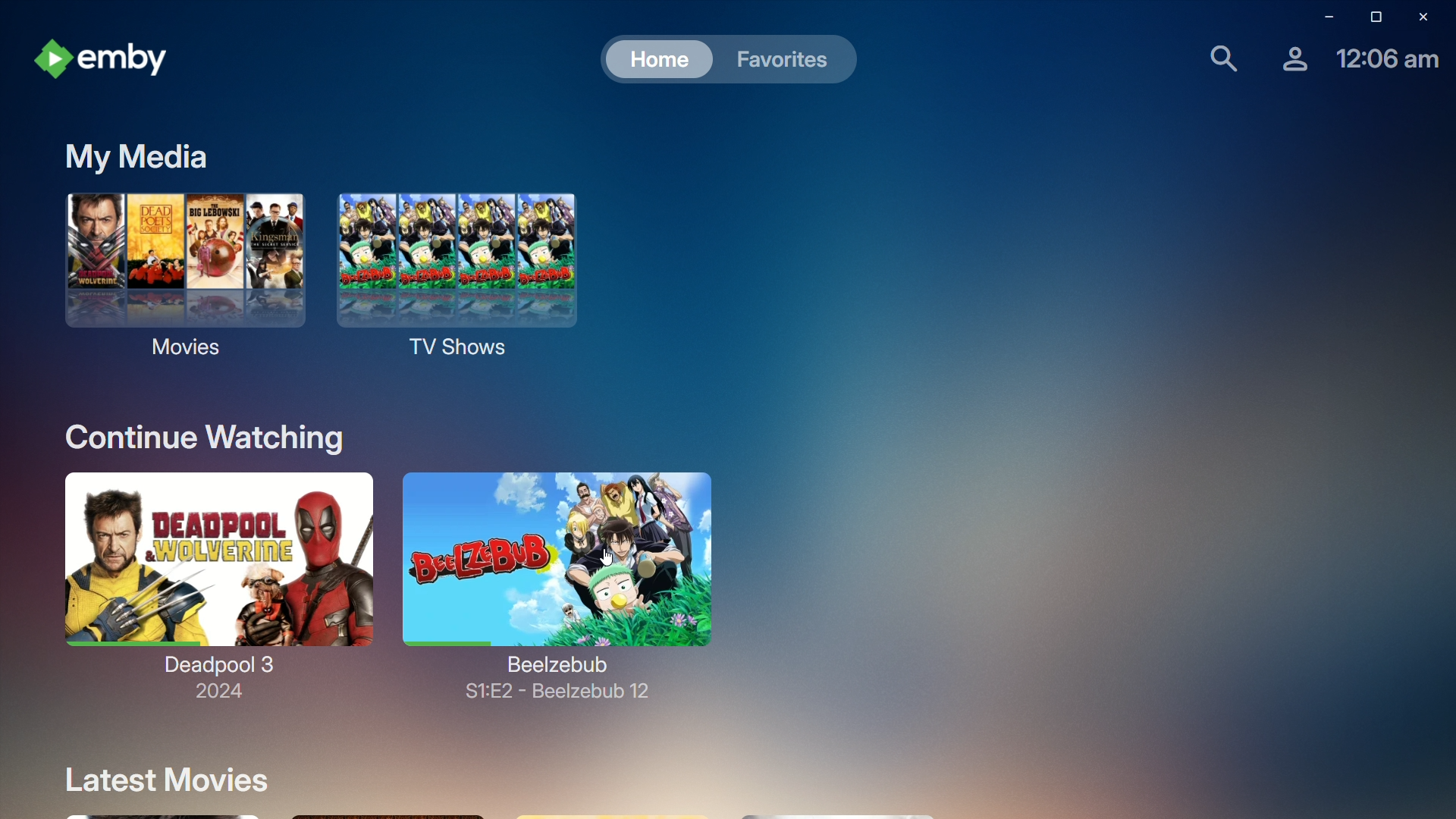 The height and width of the screenshot is (819, 1456). I want to click on Latest Movies, so click(156, 774).